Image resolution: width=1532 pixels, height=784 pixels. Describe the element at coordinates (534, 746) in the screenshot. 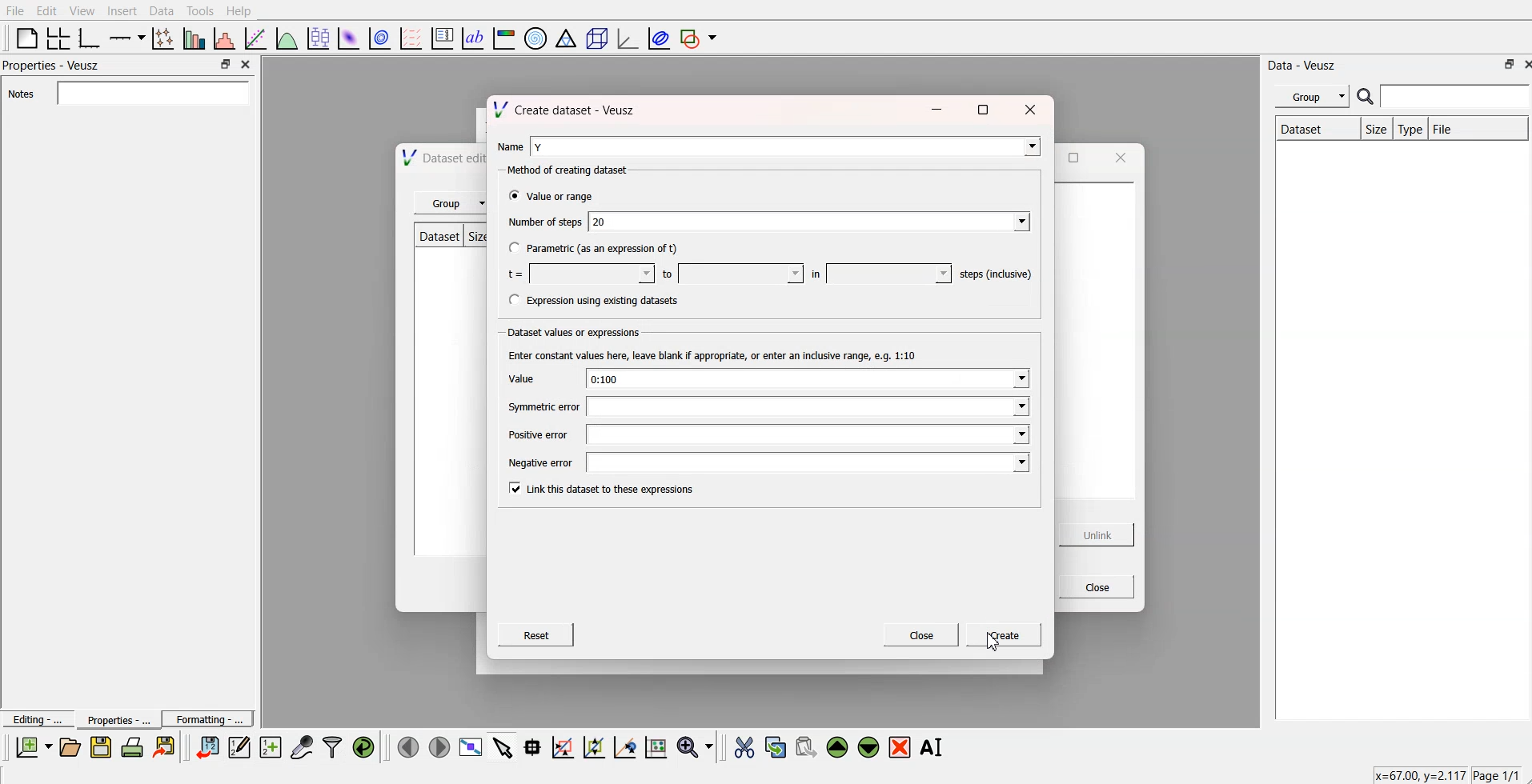

I see `read data point on the graph` at that location.